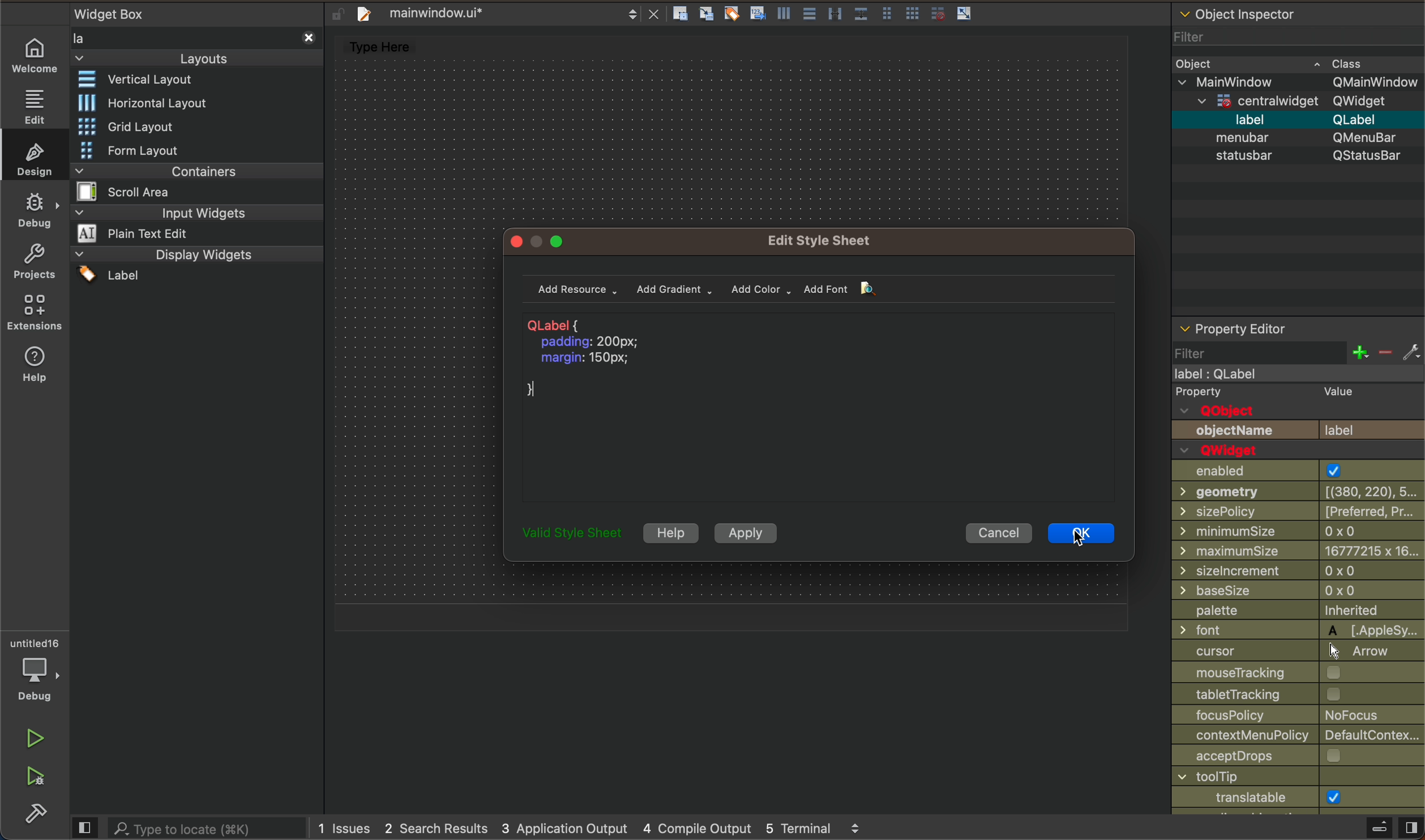 This screenshot has height=840, width=1425. I want to click on qwidget, so click(1306, 101).